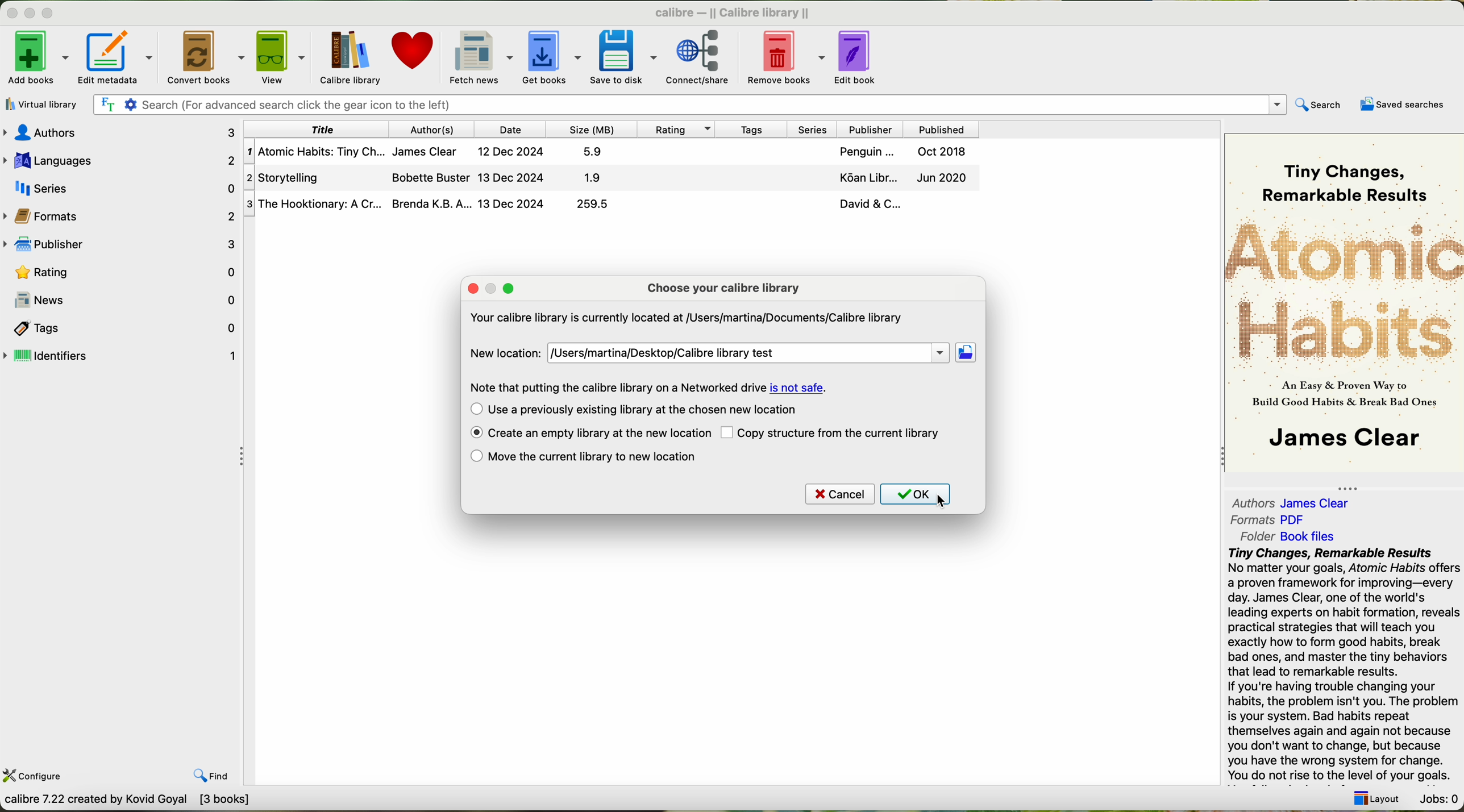 The height and width of the screenshot is (812, 1464). What do you see at coordinates (705, 56) in the screenshot?
I see `connect/share` at bounding box center [705, 56].